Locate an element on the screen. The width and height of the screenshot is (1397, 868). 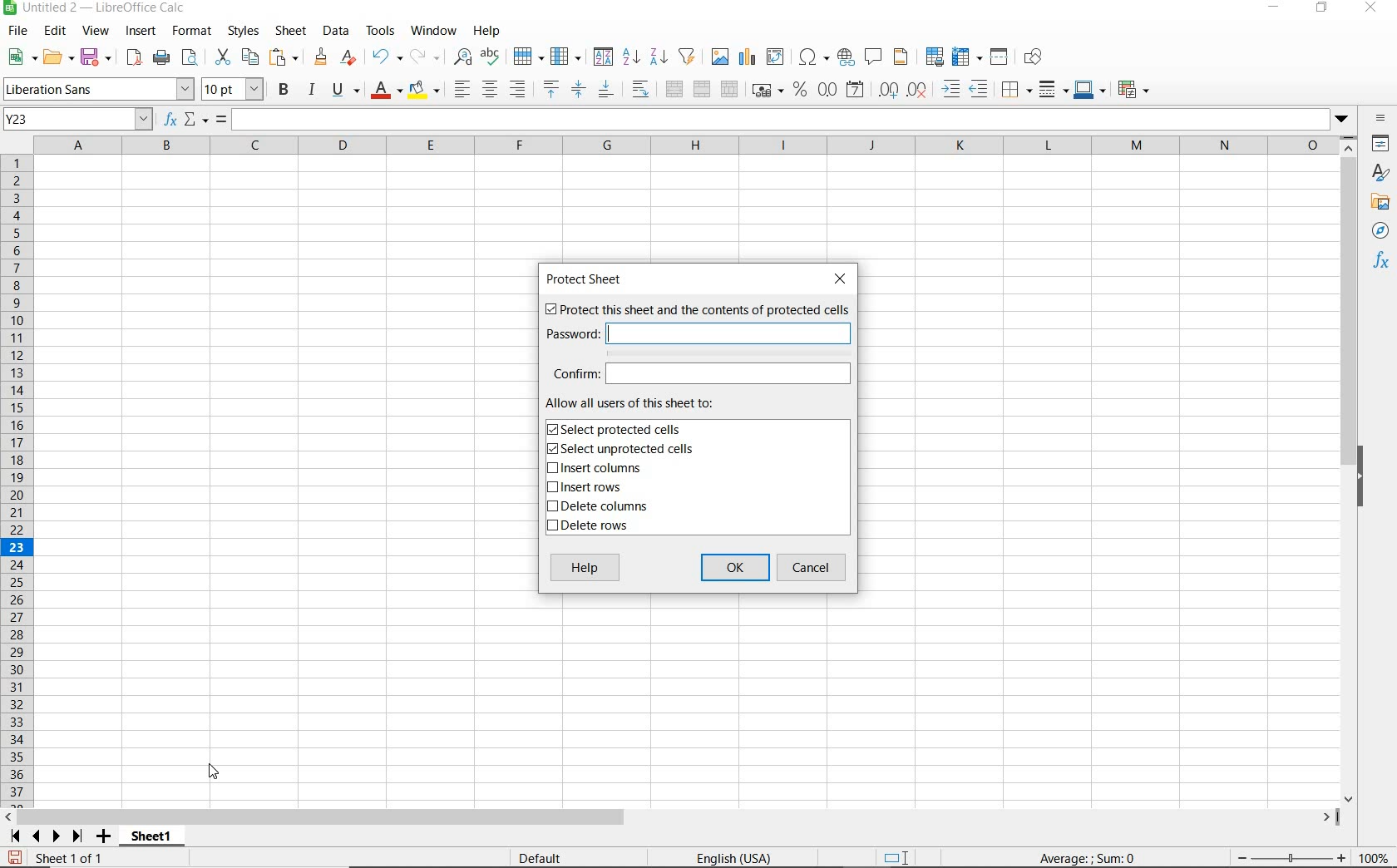
GALLERY is located at coordinates (1380, 205).